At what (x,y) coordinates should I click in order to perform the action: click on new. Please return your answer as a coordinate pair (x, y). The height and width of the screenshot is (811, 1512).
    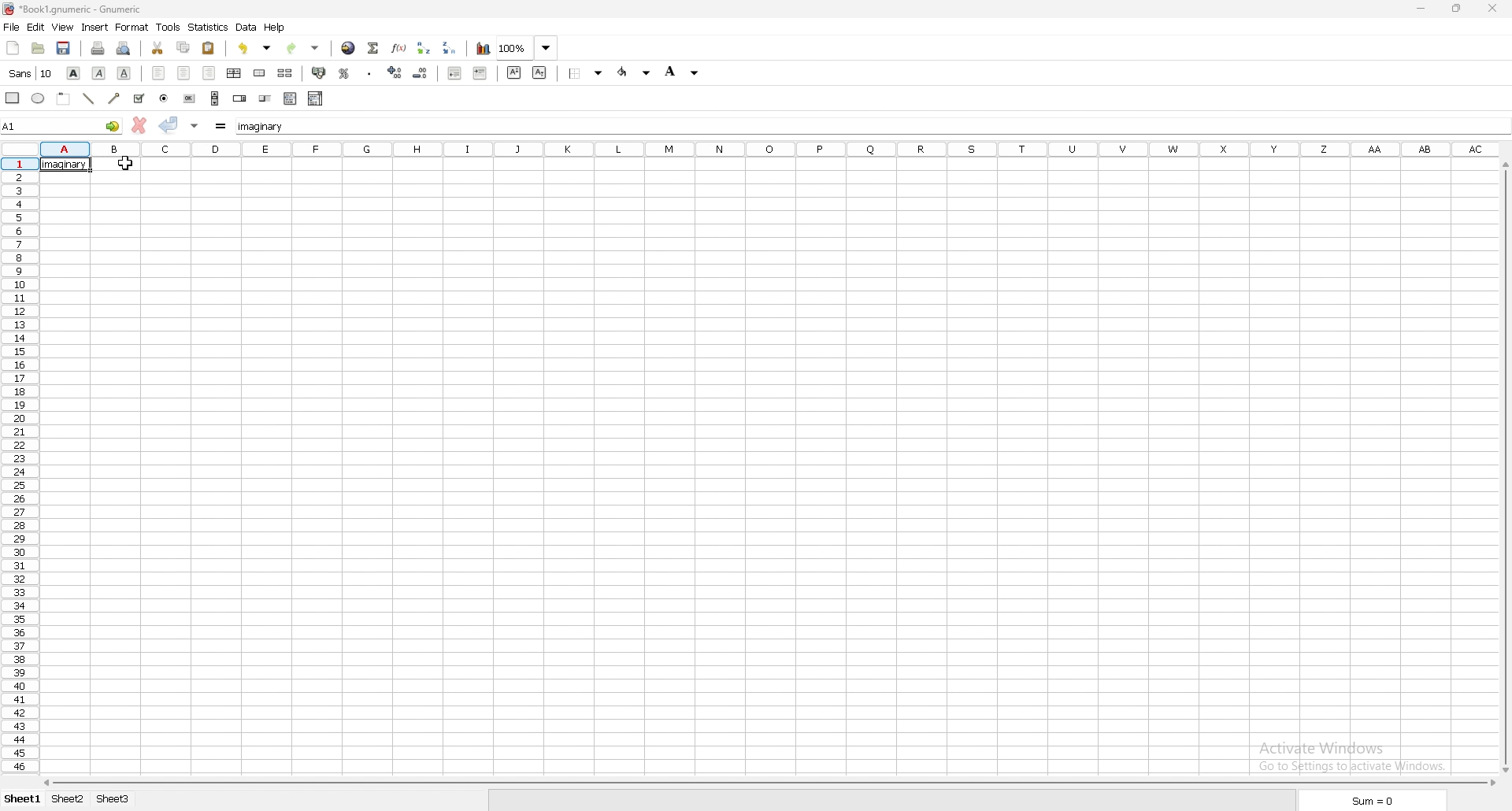
    Looking at the image, I should click on (13, 46).